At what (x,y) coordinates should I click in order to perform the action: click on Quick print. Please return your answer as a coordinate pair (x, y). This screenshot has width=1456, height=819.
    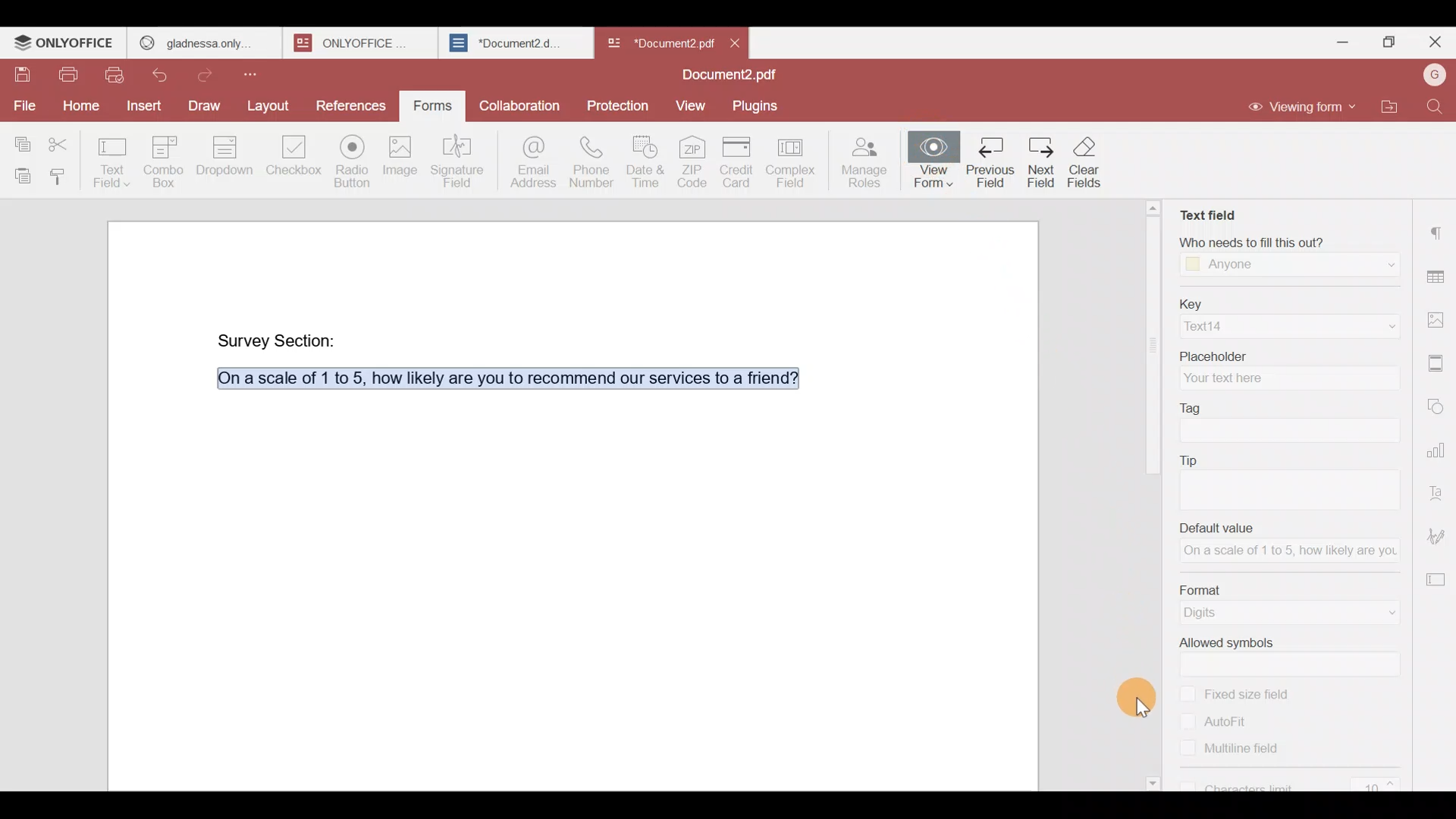
    Looking at the image, I should click on (120, 75).